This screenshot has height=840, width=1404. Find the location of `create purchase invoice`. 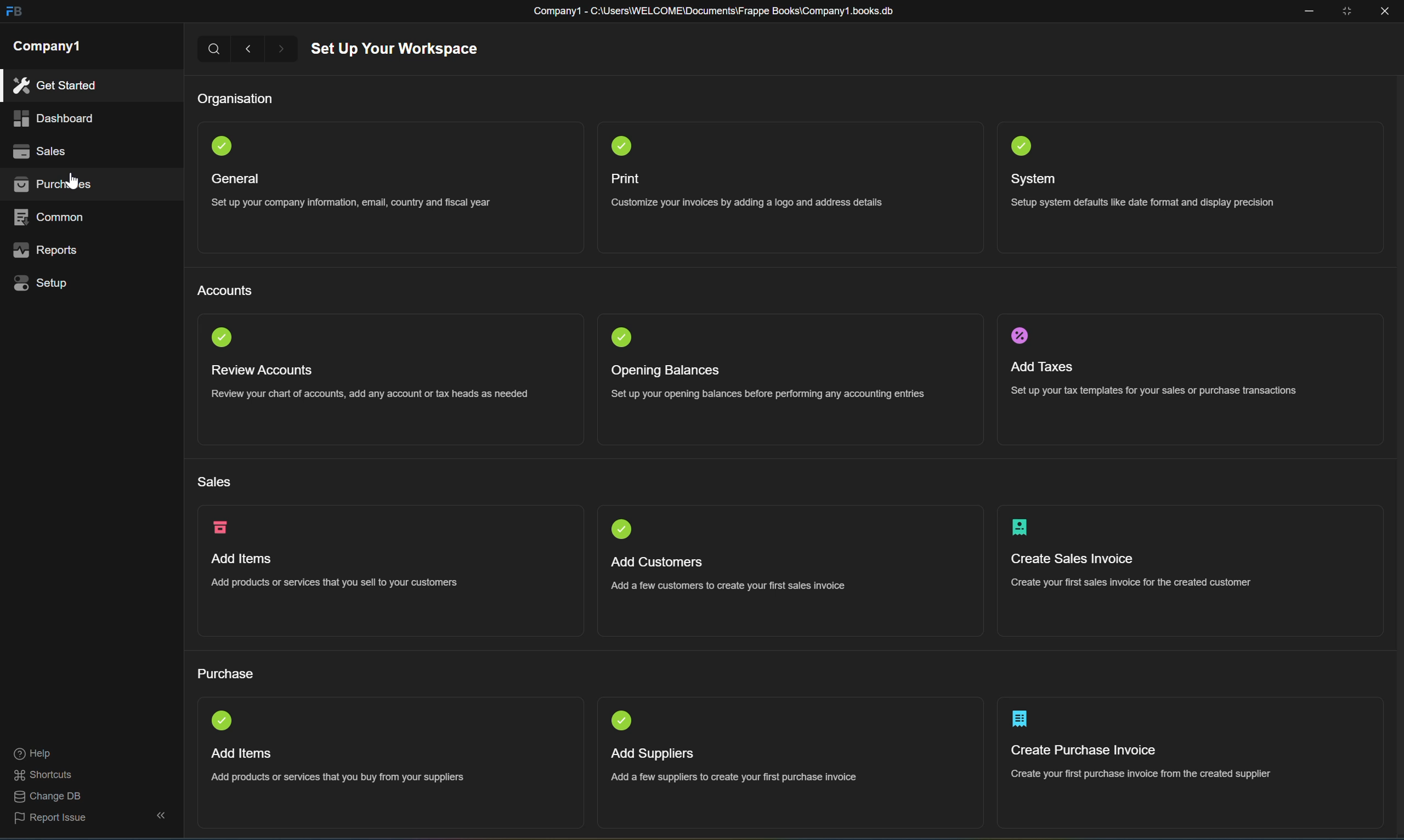

create purchase invoice is located at coordinates (1020, 719).